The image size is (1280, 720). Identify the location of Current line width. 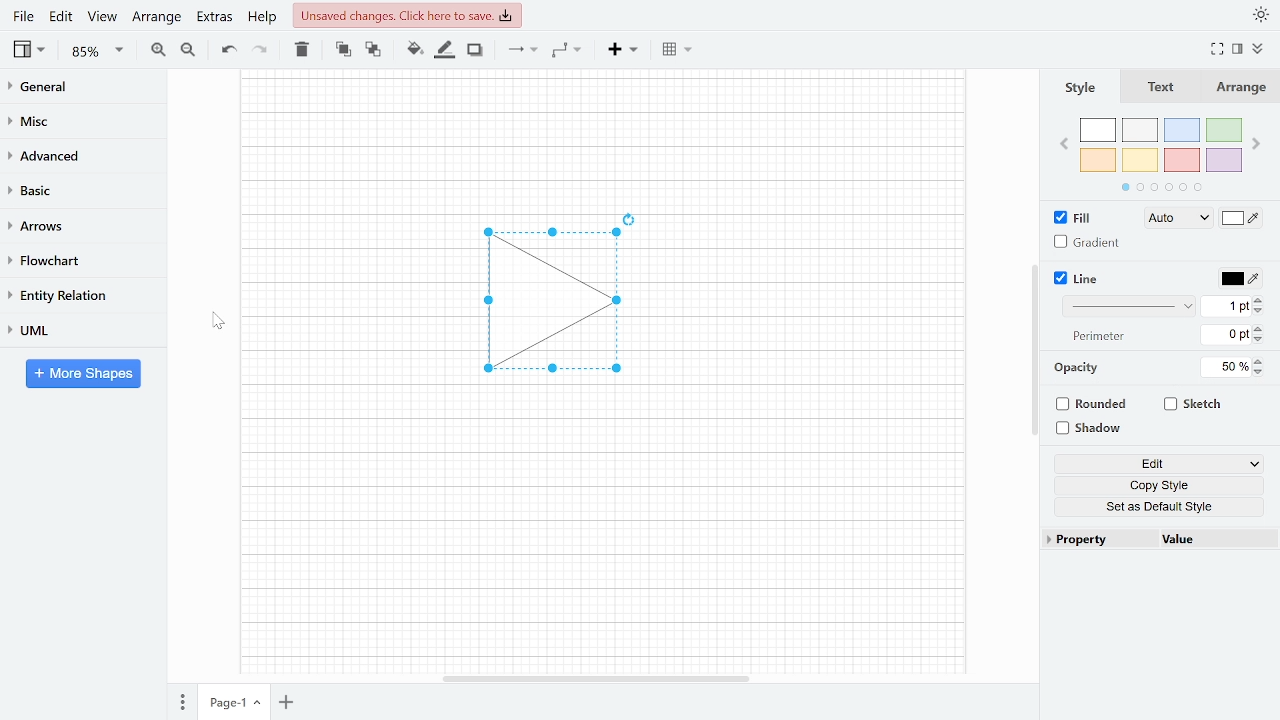
(1227, 305).